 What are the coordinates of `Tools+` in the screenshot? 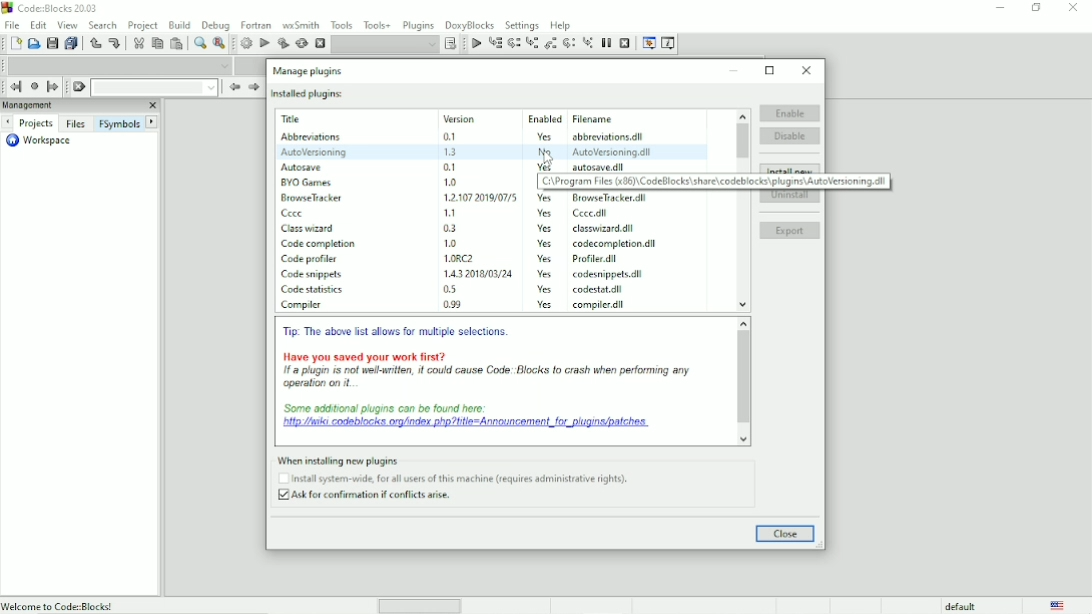 It's located at (377, 25).